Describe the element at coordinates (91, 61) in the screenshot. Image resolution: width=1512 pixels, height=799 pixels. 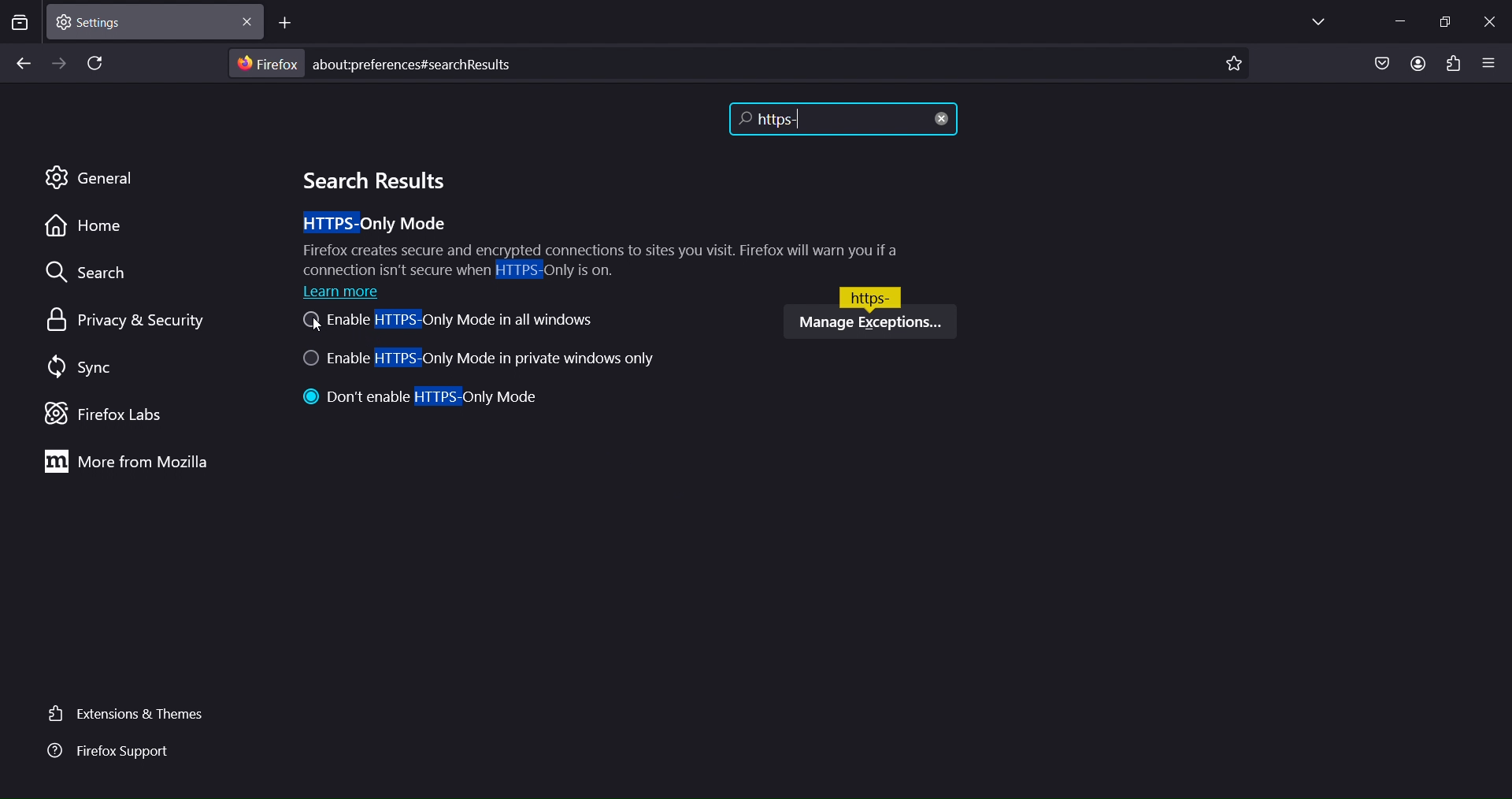
I see `reload page` at that location.